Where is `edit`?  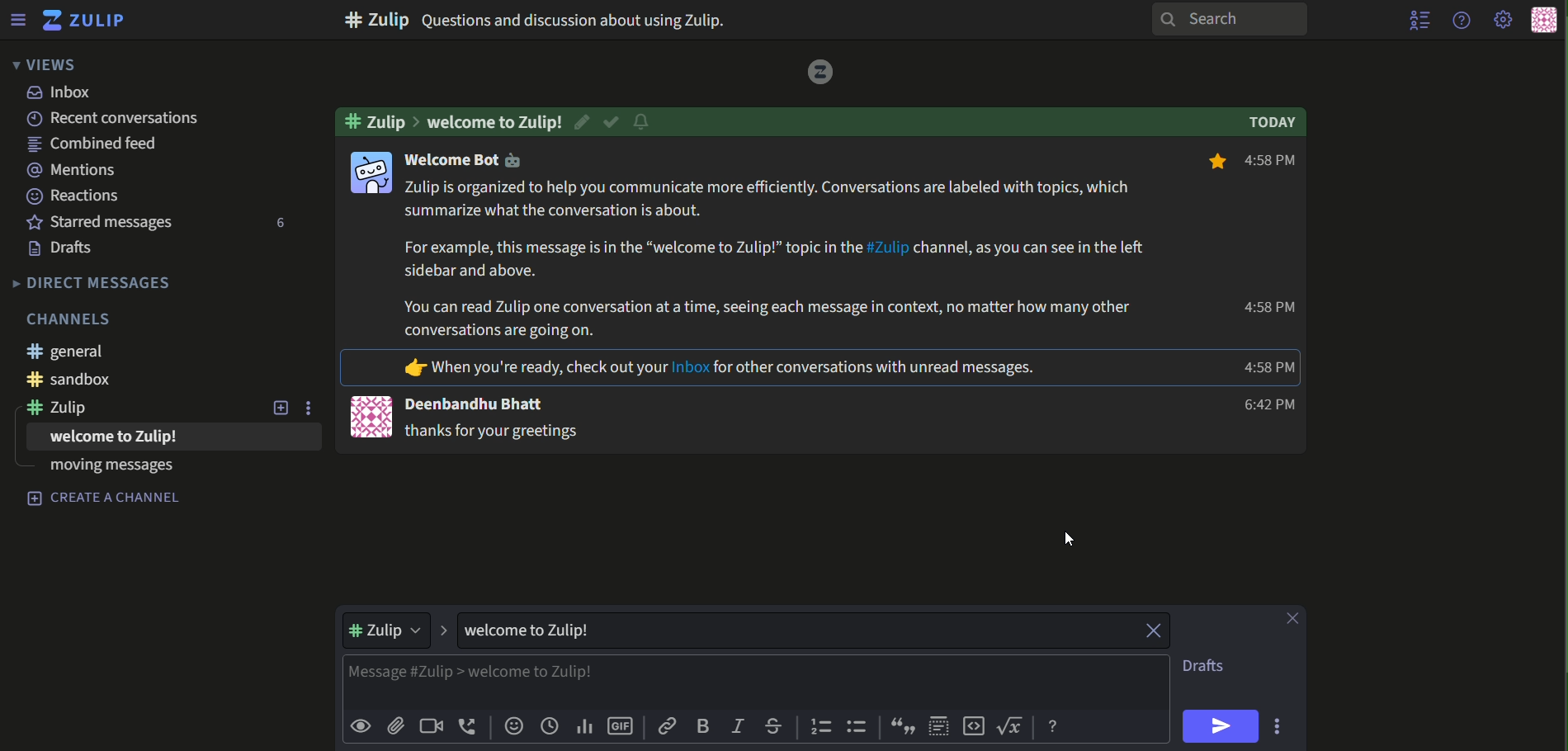
edit is located at coordinates (585, 121).